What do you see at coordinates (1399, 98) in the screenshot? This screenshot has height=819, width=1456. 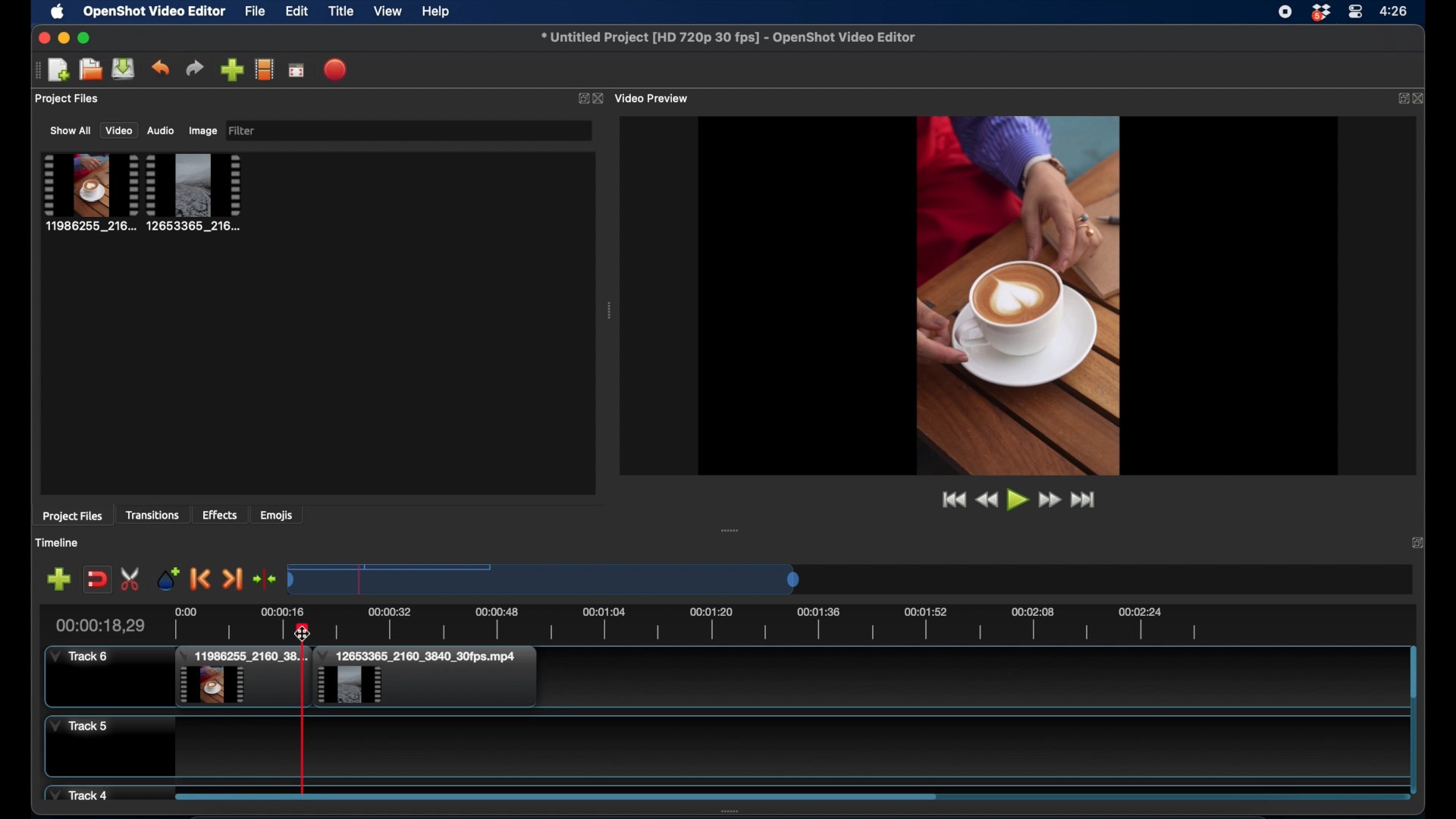 I see `expand` at bounding box center [1399, 98].